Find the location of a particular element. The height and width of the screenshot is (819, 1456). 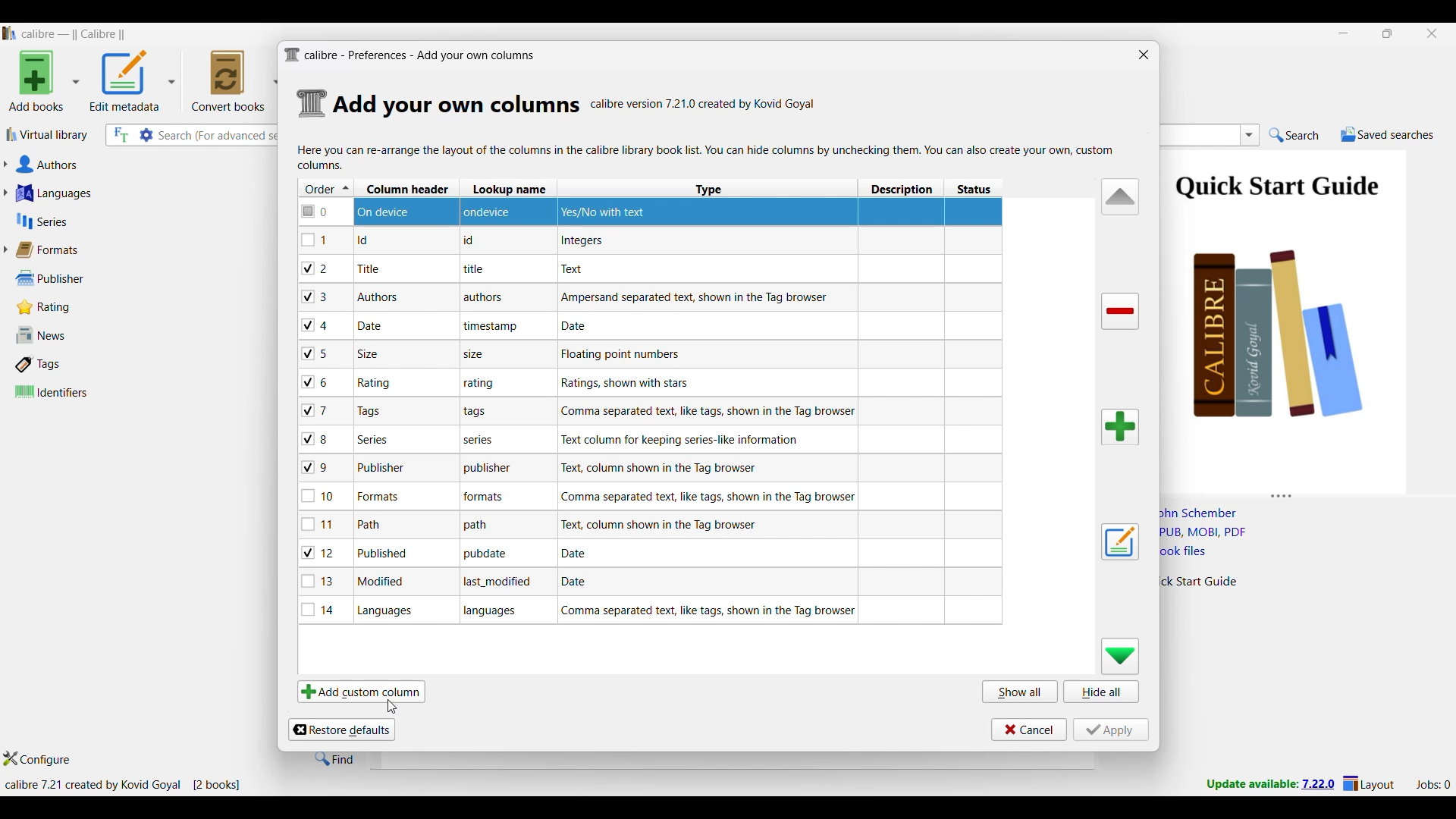

Order column, current sorting is located at coordinates (326, 188).